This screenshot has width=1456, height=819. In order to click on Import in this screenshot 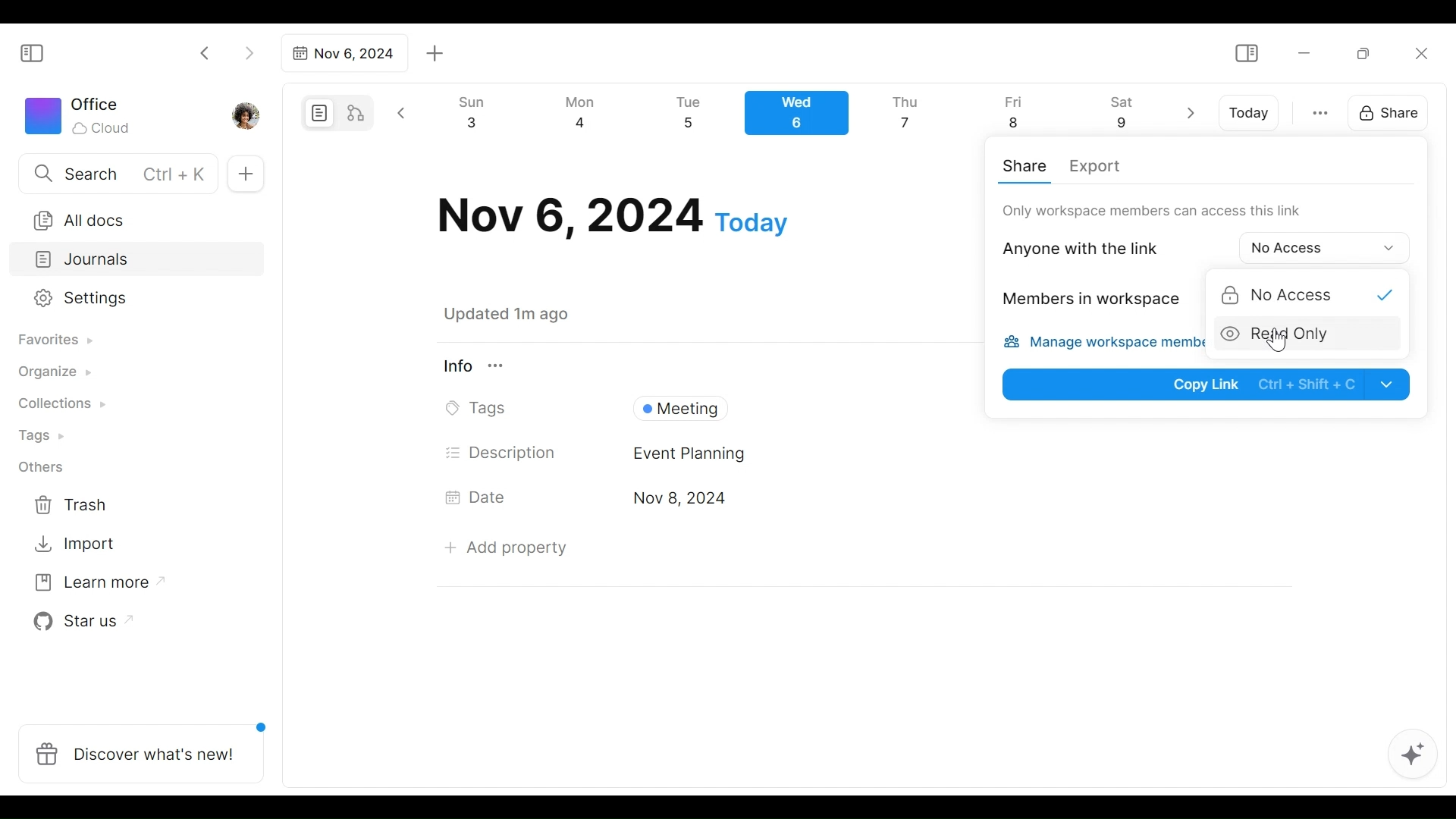, I will do `click(77, 542)`.